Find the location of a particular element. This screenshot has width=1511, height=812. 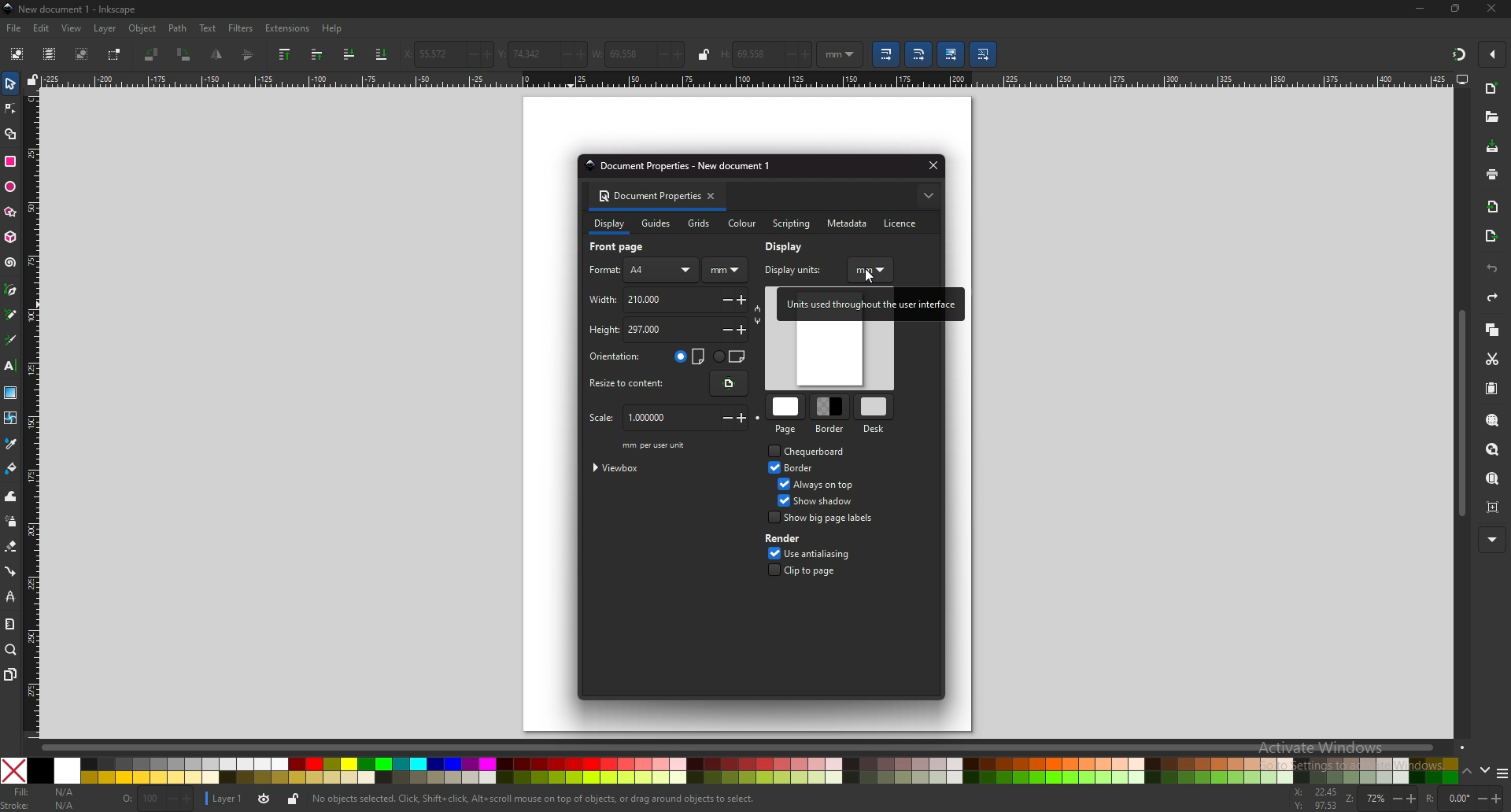

3d box is located at coordinates (9, 238).